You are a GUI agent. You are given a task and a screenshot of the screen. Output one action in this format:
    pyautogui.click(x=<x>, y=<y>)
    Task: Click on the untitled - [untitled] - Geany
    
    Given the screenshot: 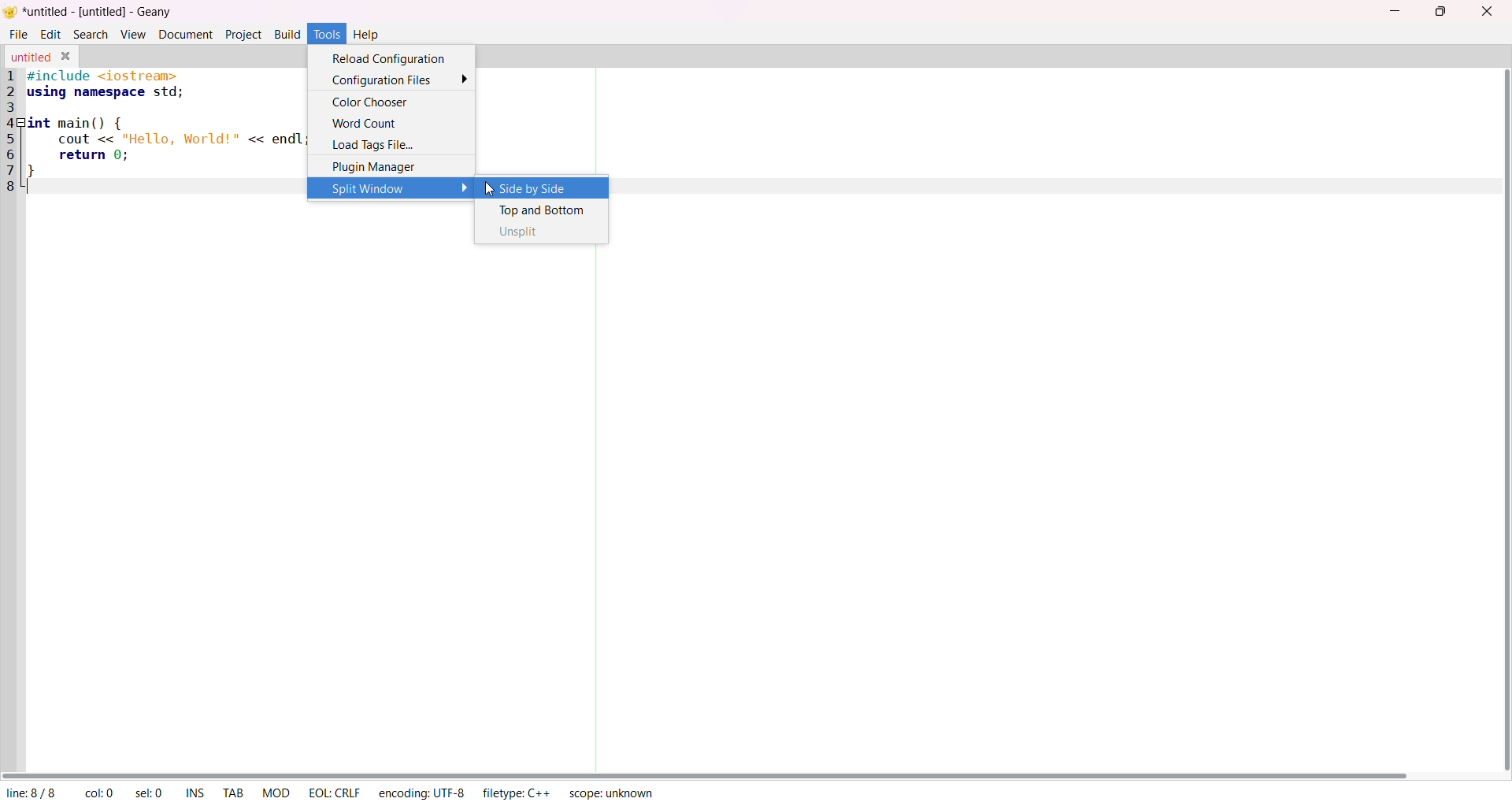 What is the action you would take?
    pyautogui.click(x=98, y=13)
    